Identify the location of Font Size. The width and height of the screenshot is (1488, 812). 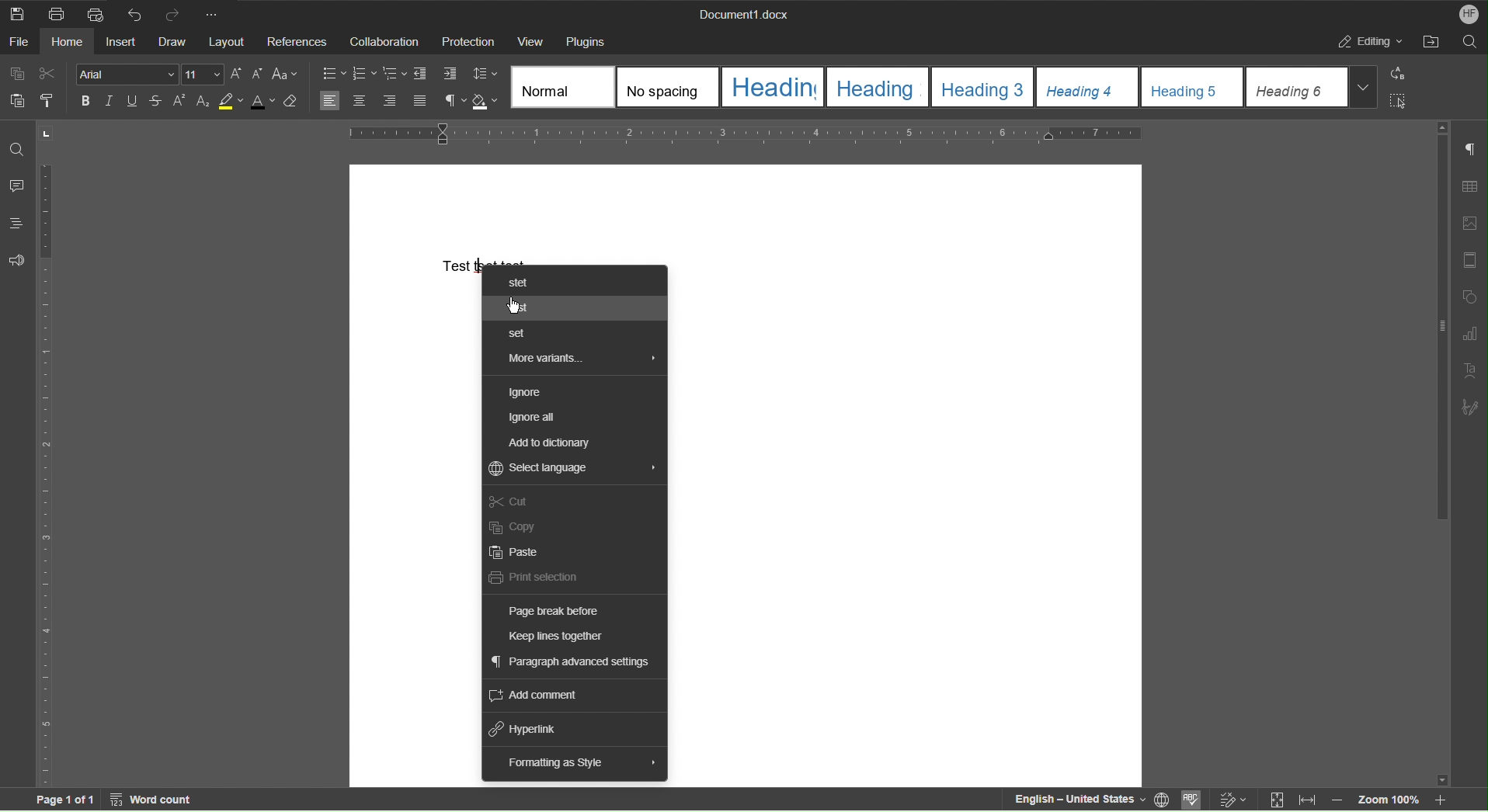
(203, 75).